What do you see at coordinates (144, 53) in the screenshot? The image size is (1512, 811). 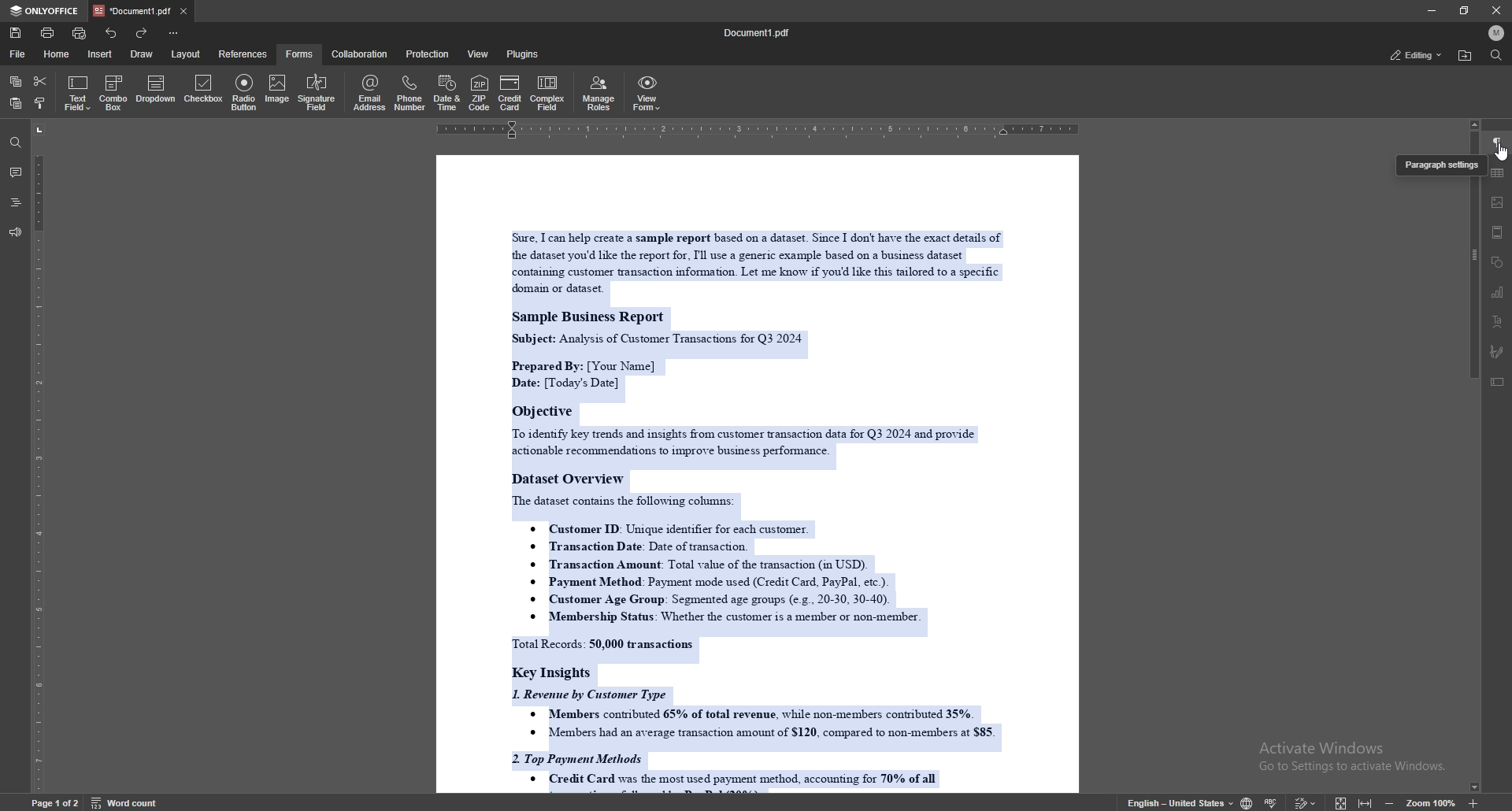 I see `draw` at bounding box center [144, 53].